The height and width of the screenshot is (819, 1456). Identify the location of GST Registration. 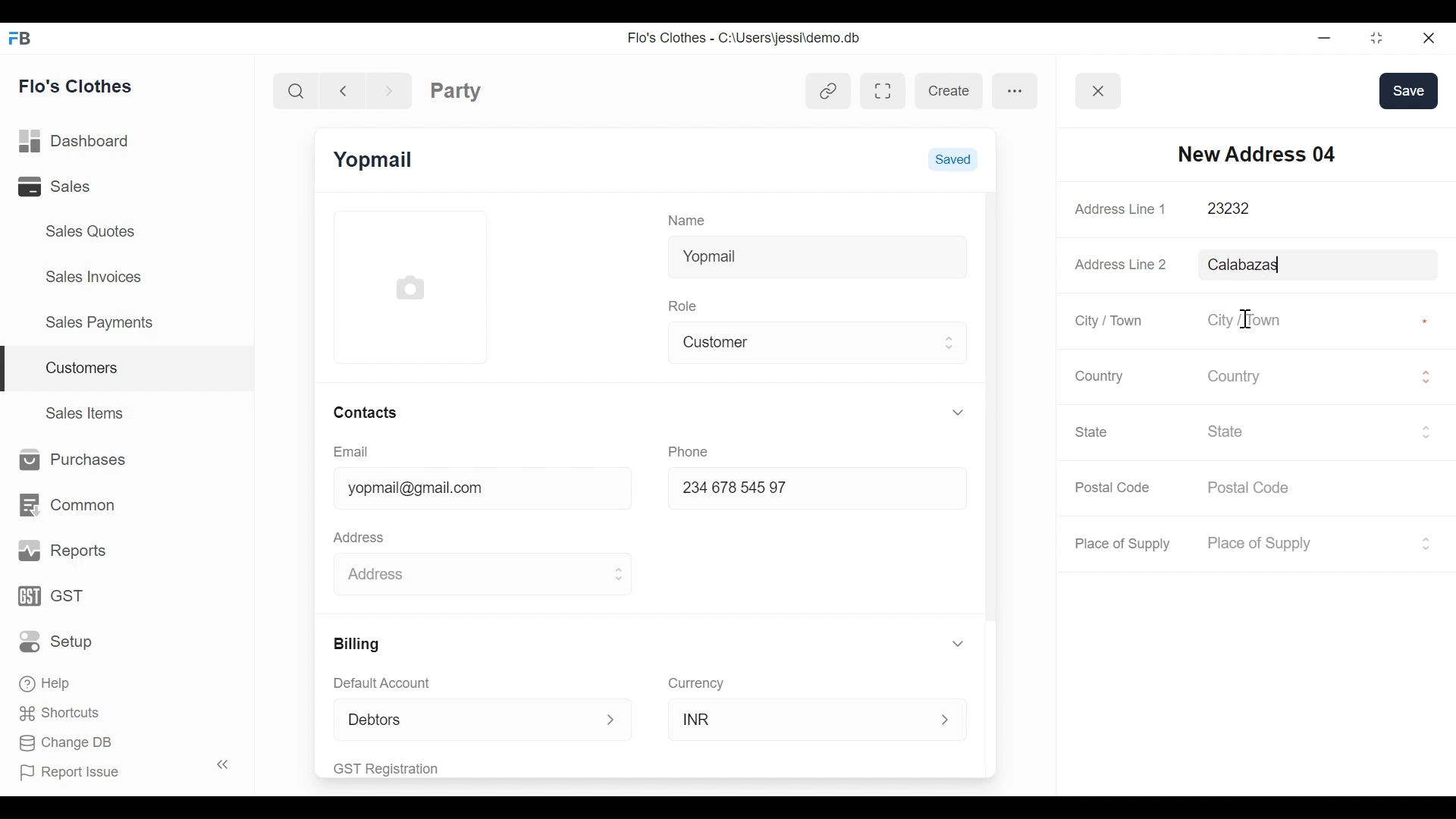
(405, 768).